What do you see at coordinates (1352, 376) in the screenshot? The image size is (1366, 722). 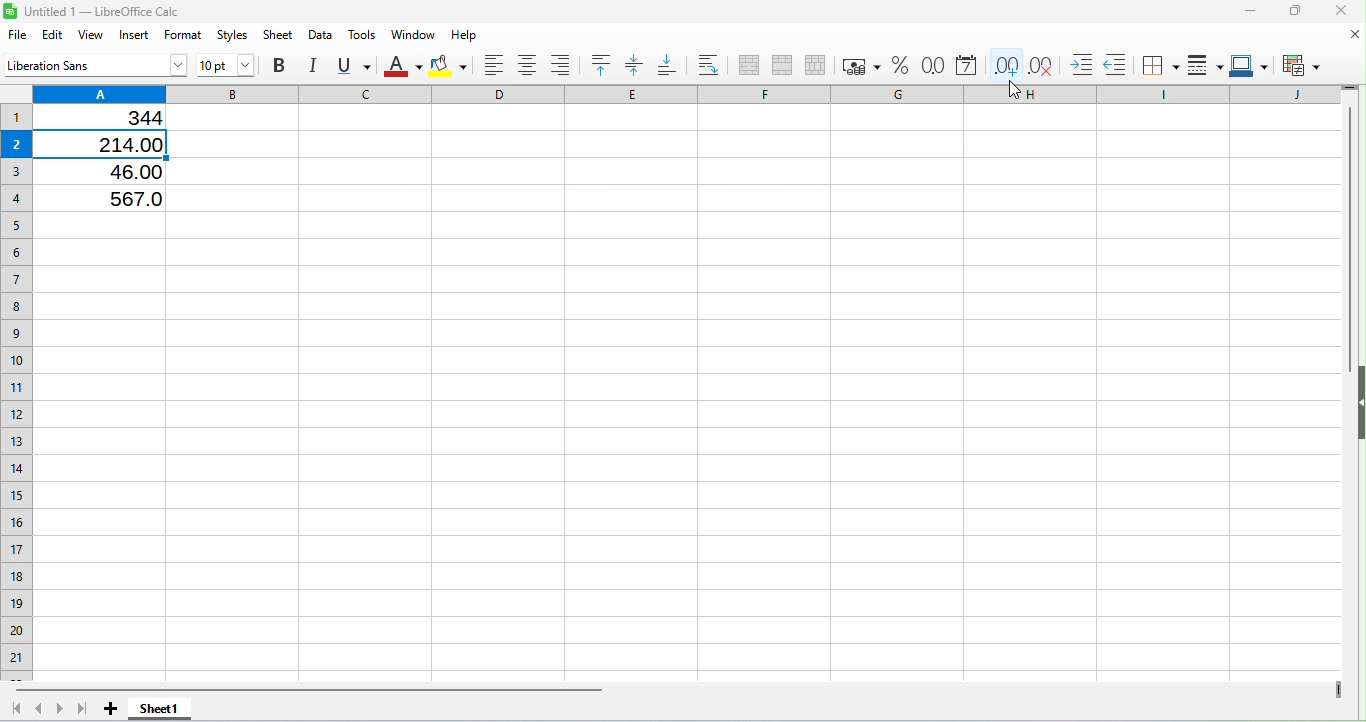 I see `Scroll bar` at bounding box center [1352, 376].